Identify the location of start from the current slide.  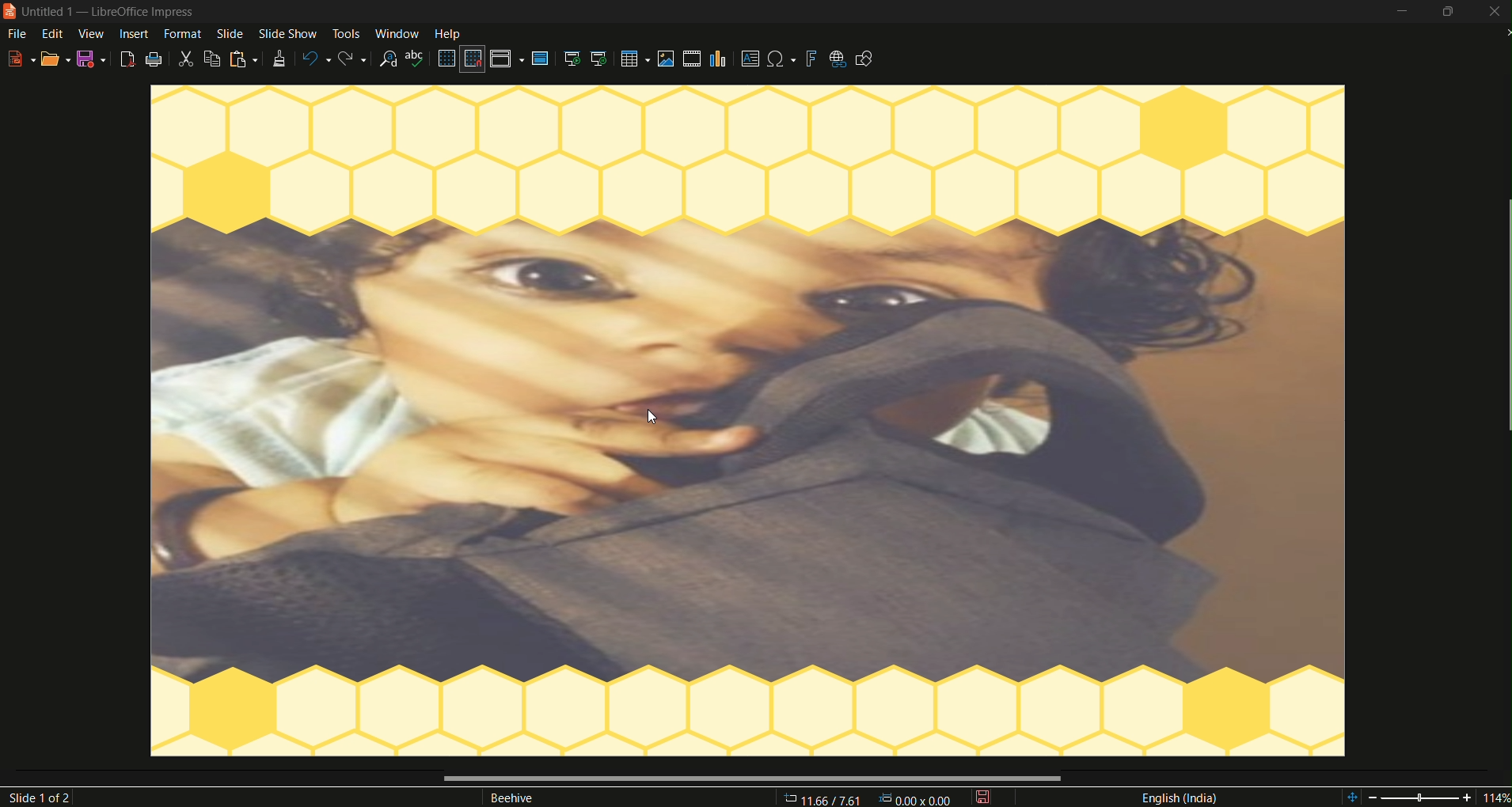
(602, 59).